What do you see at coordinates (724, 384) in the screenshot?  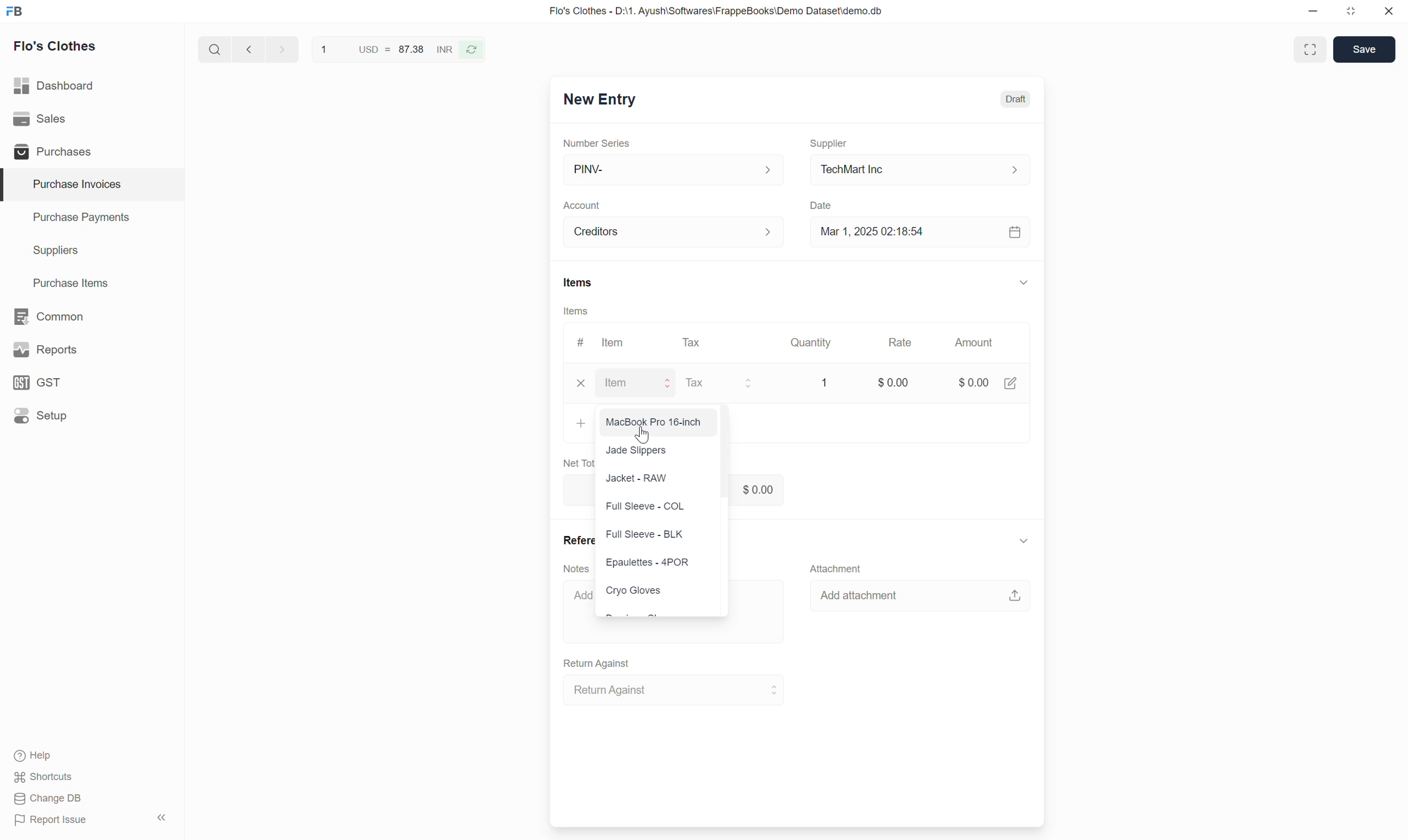 I see `Tax` at bounding box center [724, 384].